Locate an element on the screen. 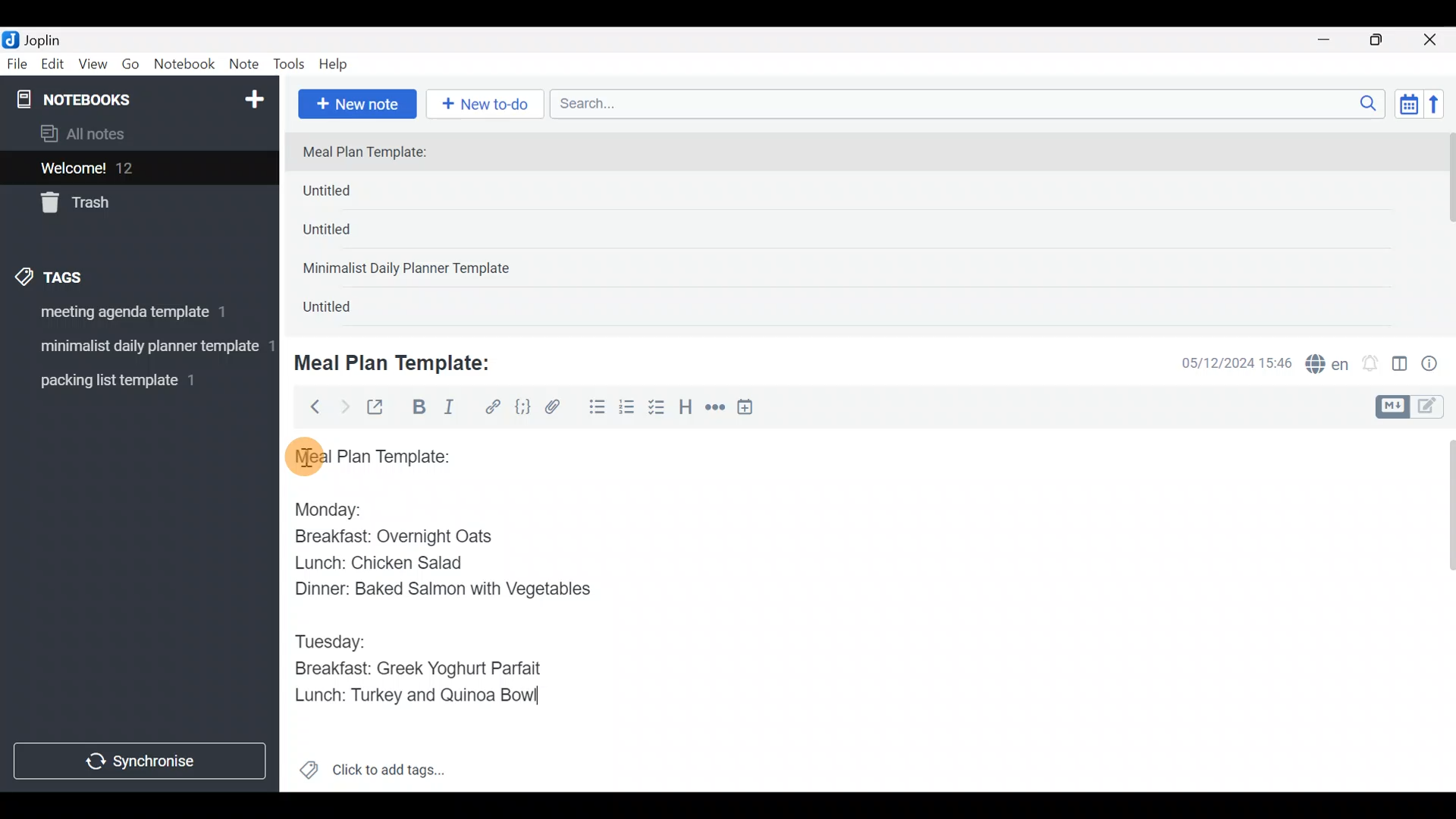  Breakfast: Greek Yoghurt Parfait is located at coordinates (421, 670).